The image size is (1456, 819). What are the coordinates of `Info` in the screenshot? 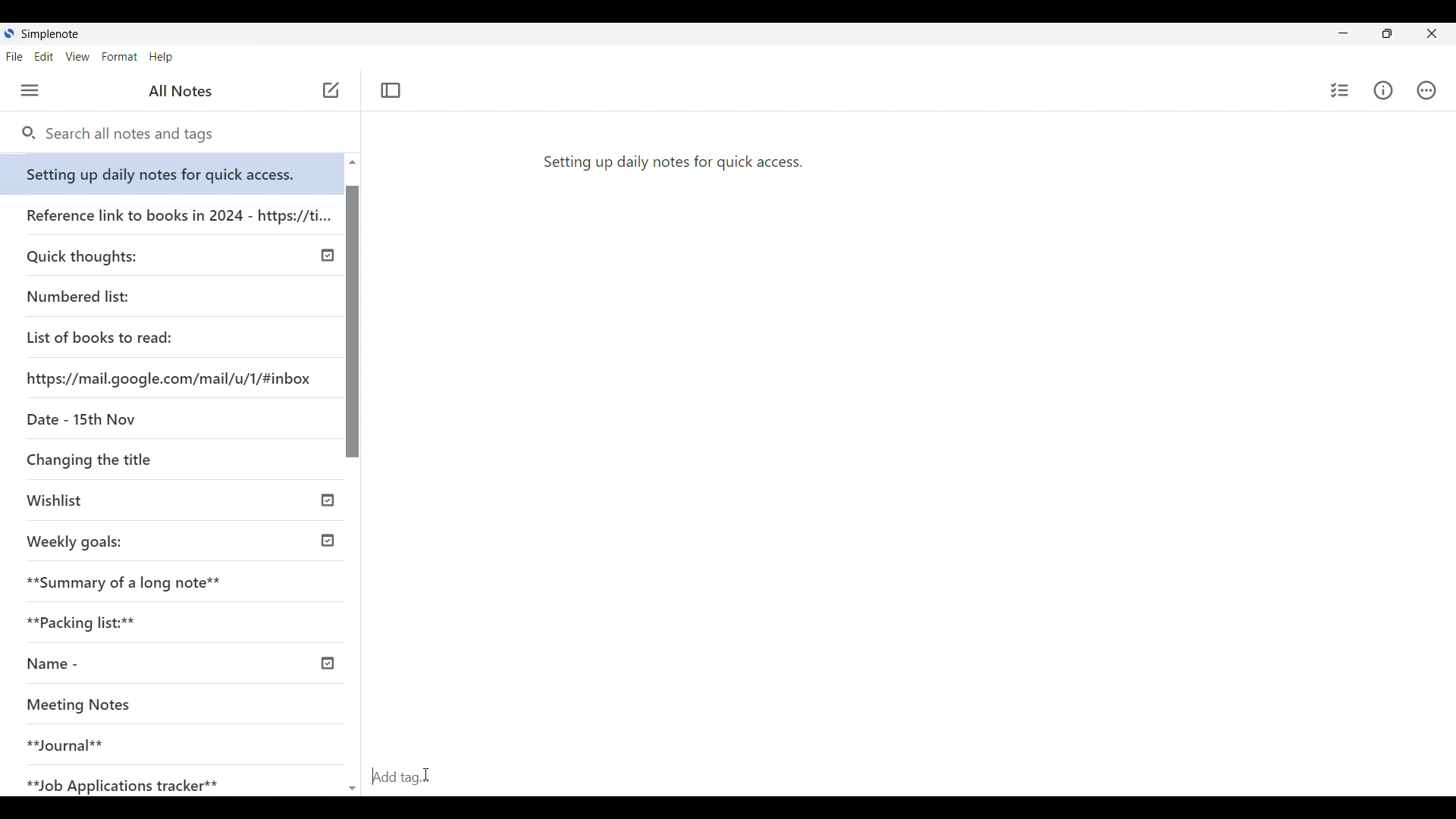 It's located at (1382, 91).